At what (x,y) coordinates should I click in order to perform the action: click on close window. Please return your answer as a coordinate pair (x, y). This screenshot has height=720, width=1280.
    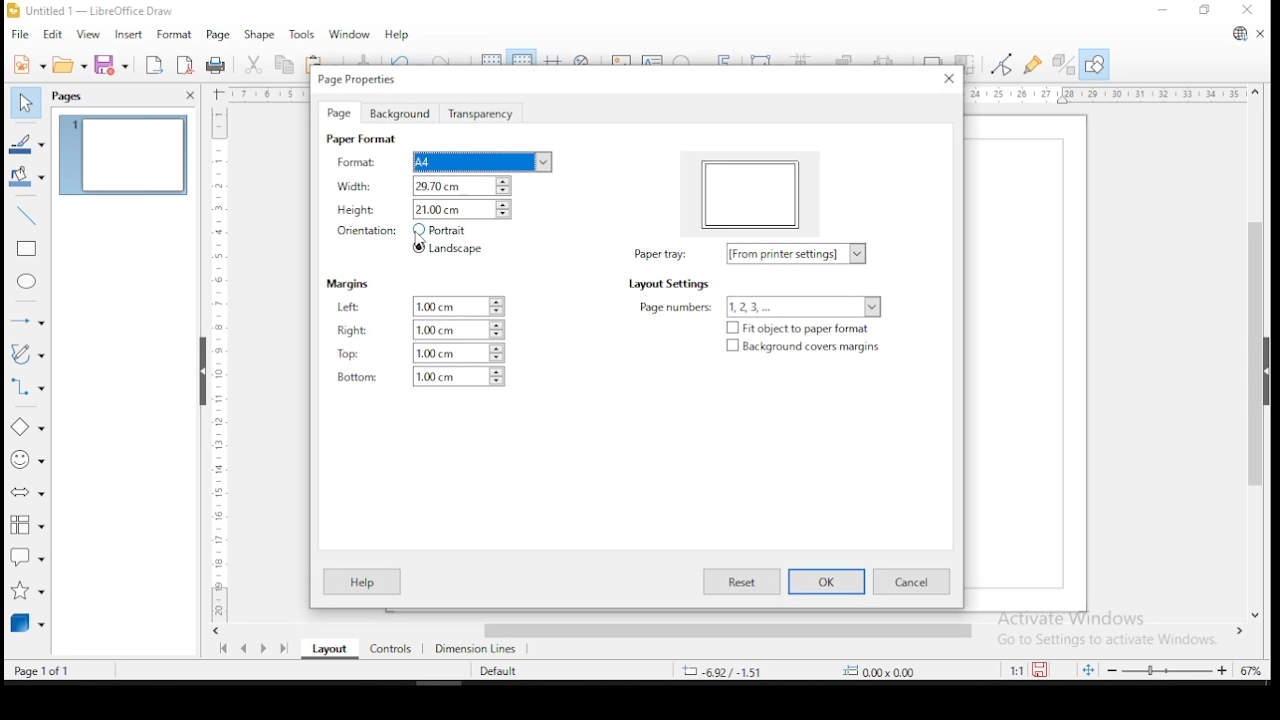
    Looking at the image, I should click on (1250, 12).